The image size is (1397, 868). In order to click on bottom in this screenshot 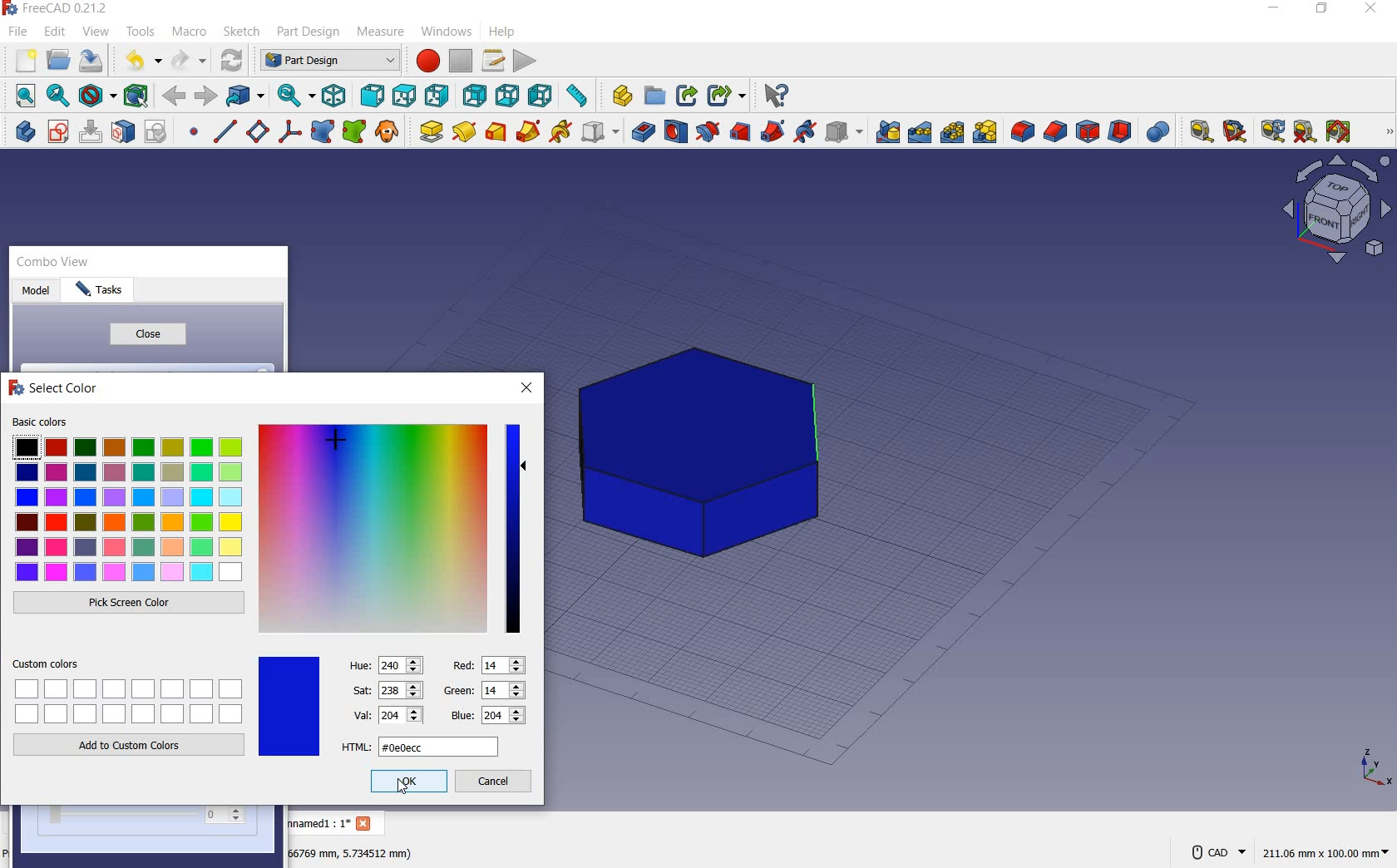, I will do `click(510, 95)`.